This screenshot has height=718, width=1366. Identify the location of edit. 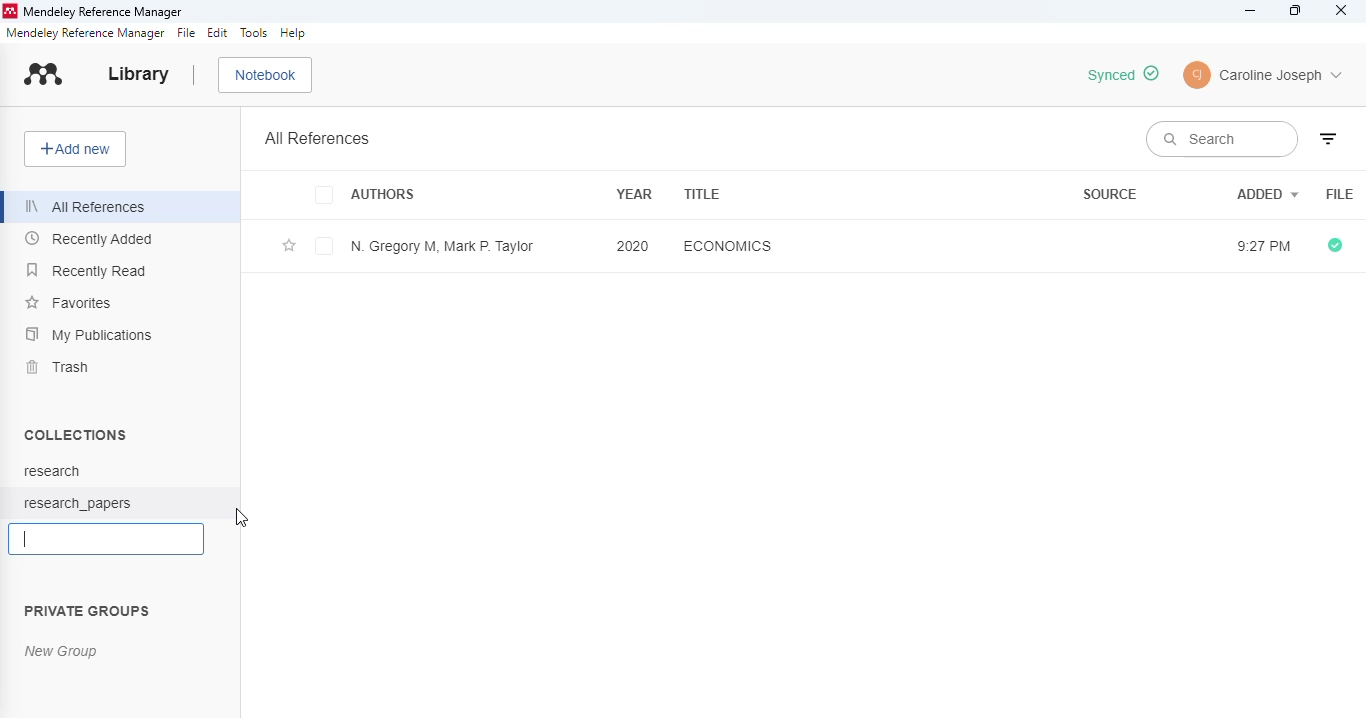
(218, 33).